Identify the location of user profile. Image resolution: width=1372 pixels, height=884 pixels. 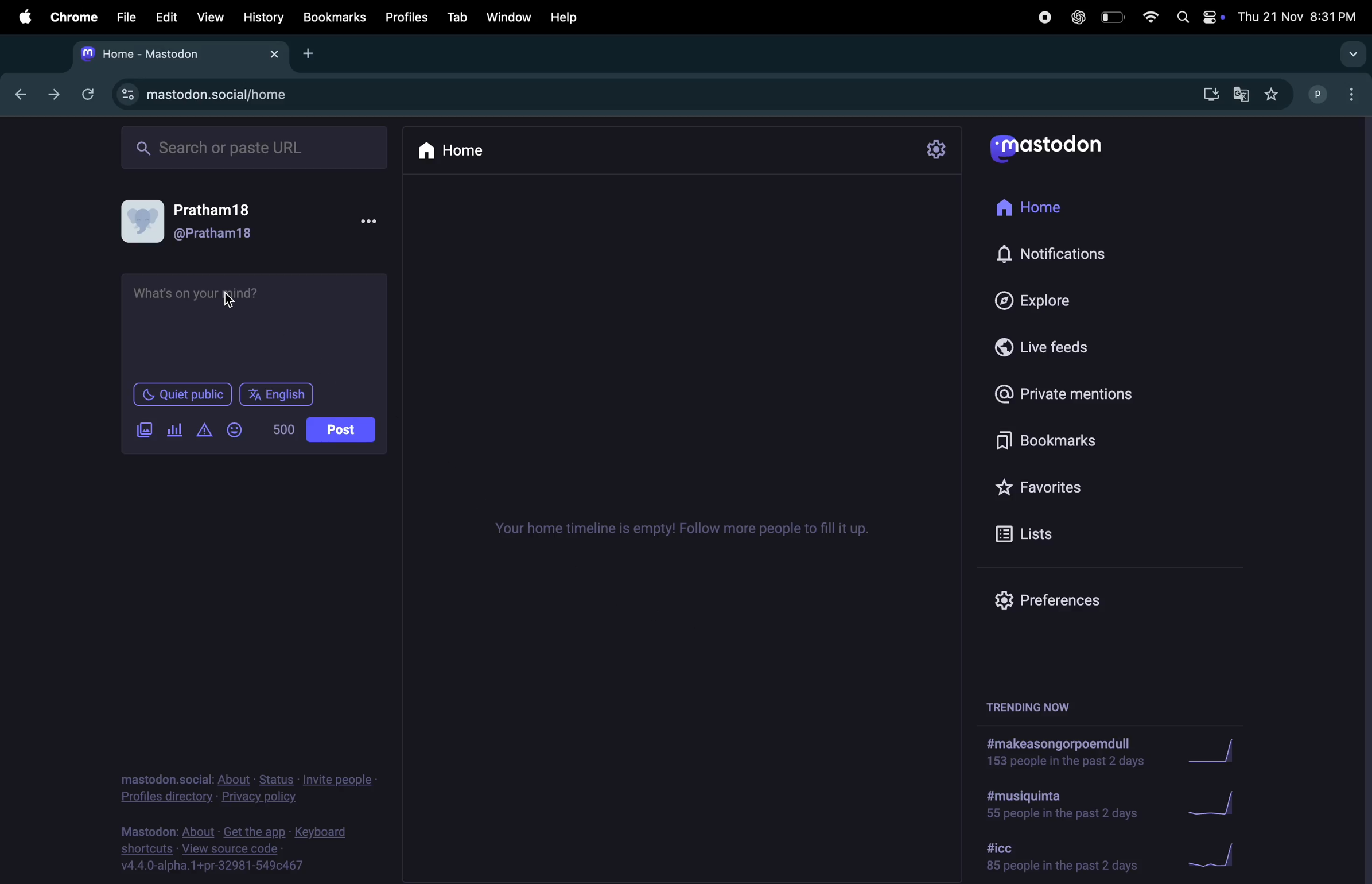
(145, 222).